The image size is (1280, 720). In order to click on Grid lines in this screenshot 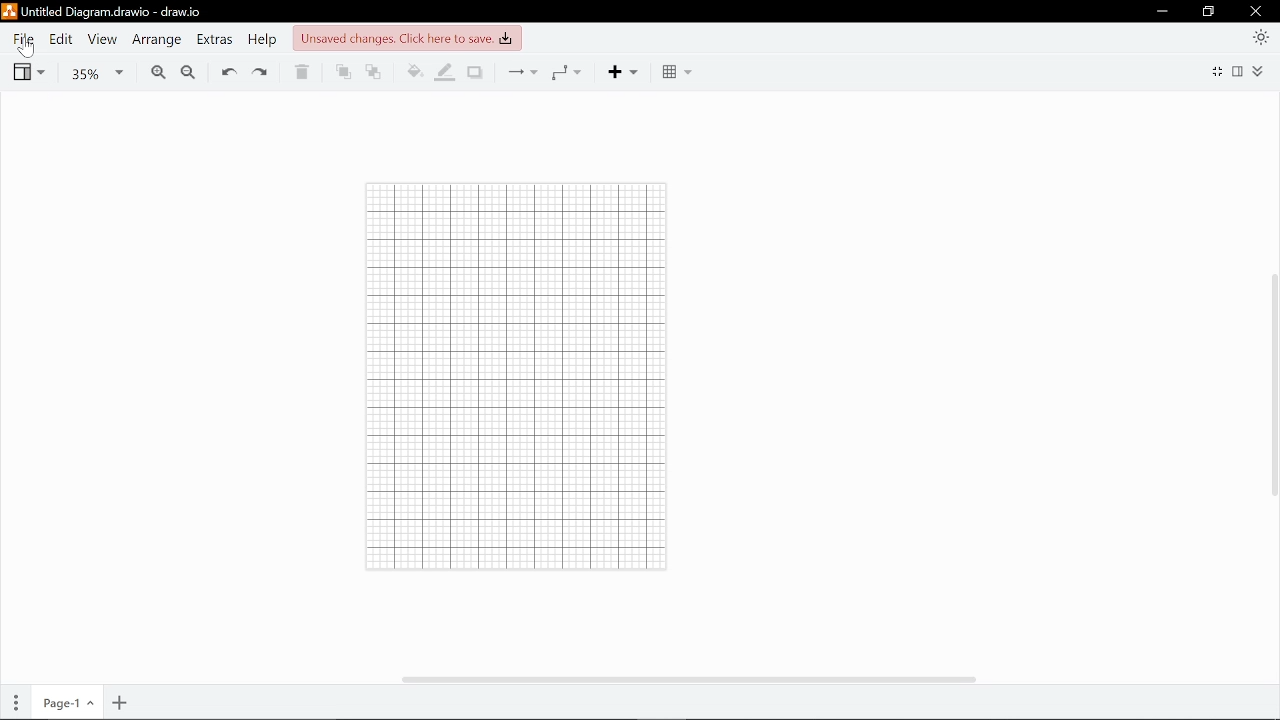, I will do `click(500, 376)`.